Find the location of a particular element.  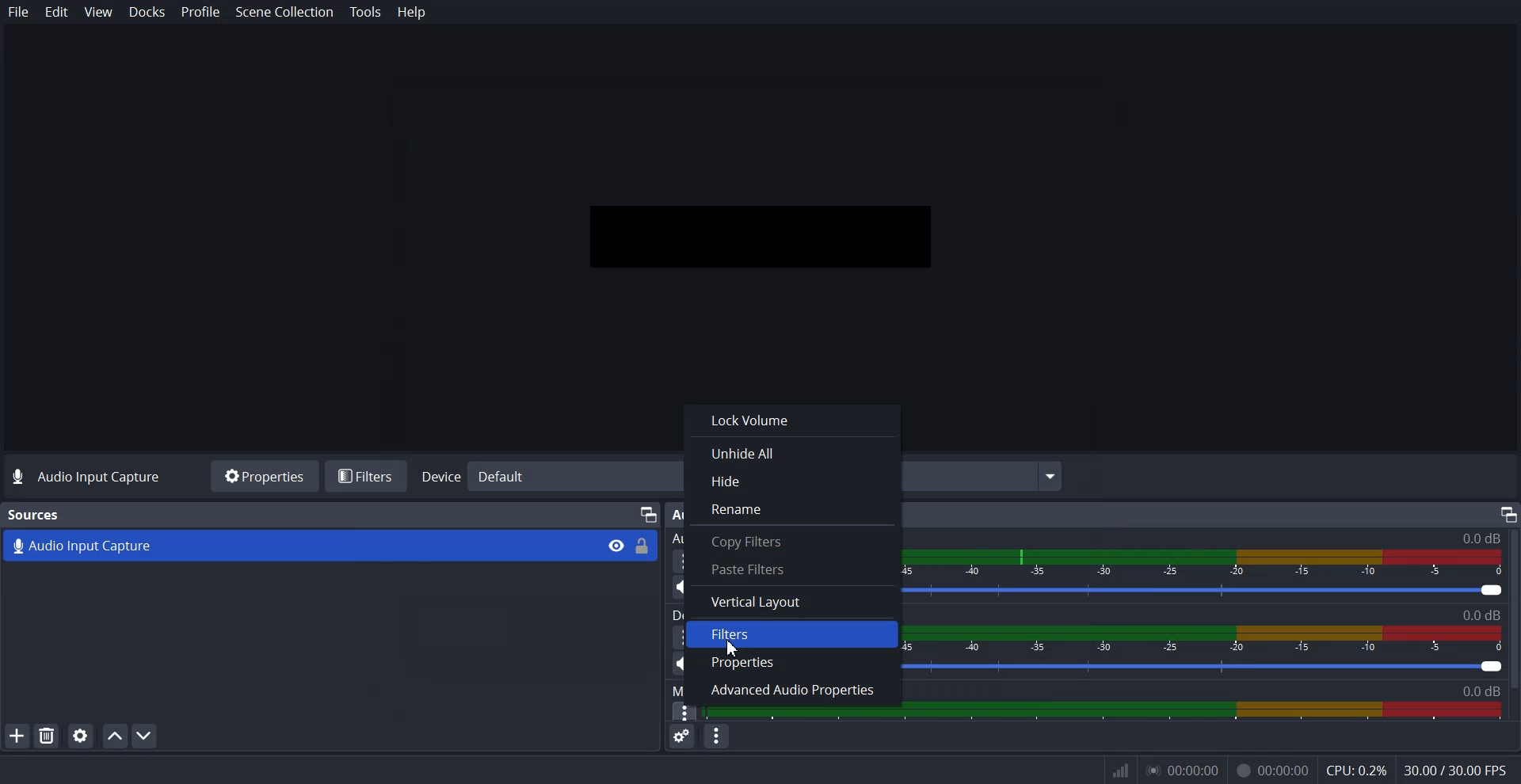

Volume level adjuster is located at coordinates (1211, 668).